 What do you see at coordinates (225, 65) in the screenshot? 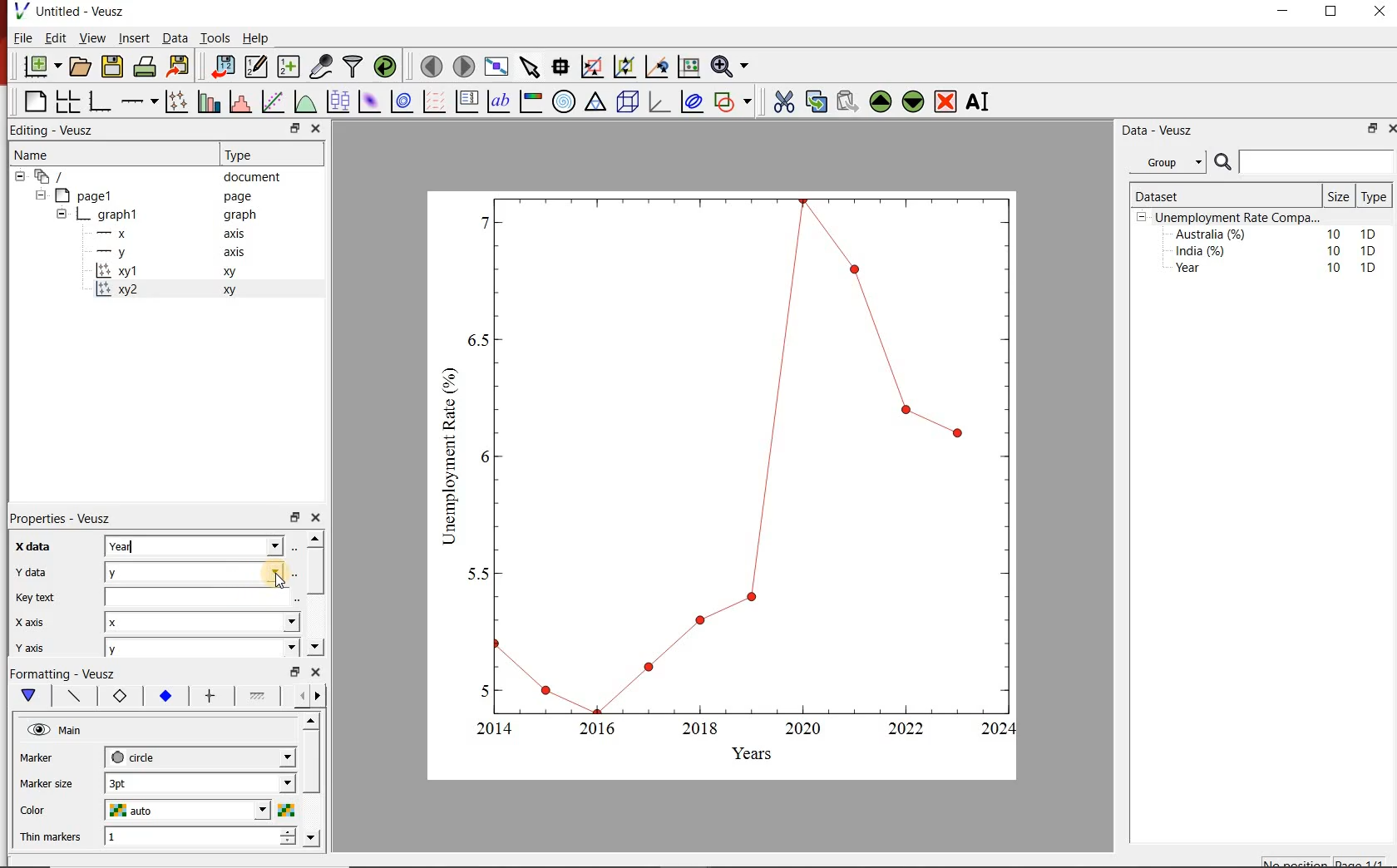
I see `import document` at bounding box center [225, 65].